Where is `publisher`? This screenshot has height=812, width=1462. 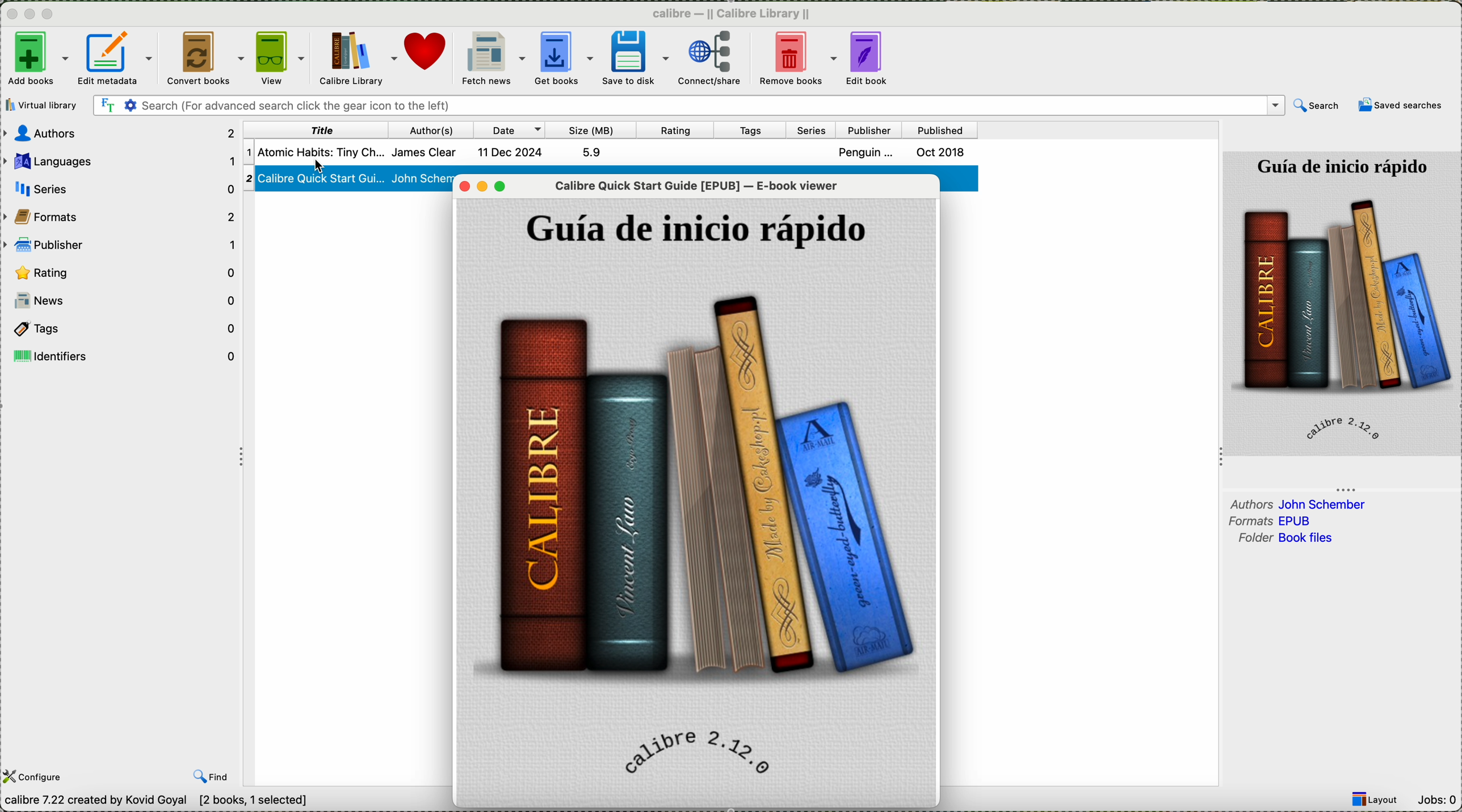
publisher is located at coordinates (121, 242).